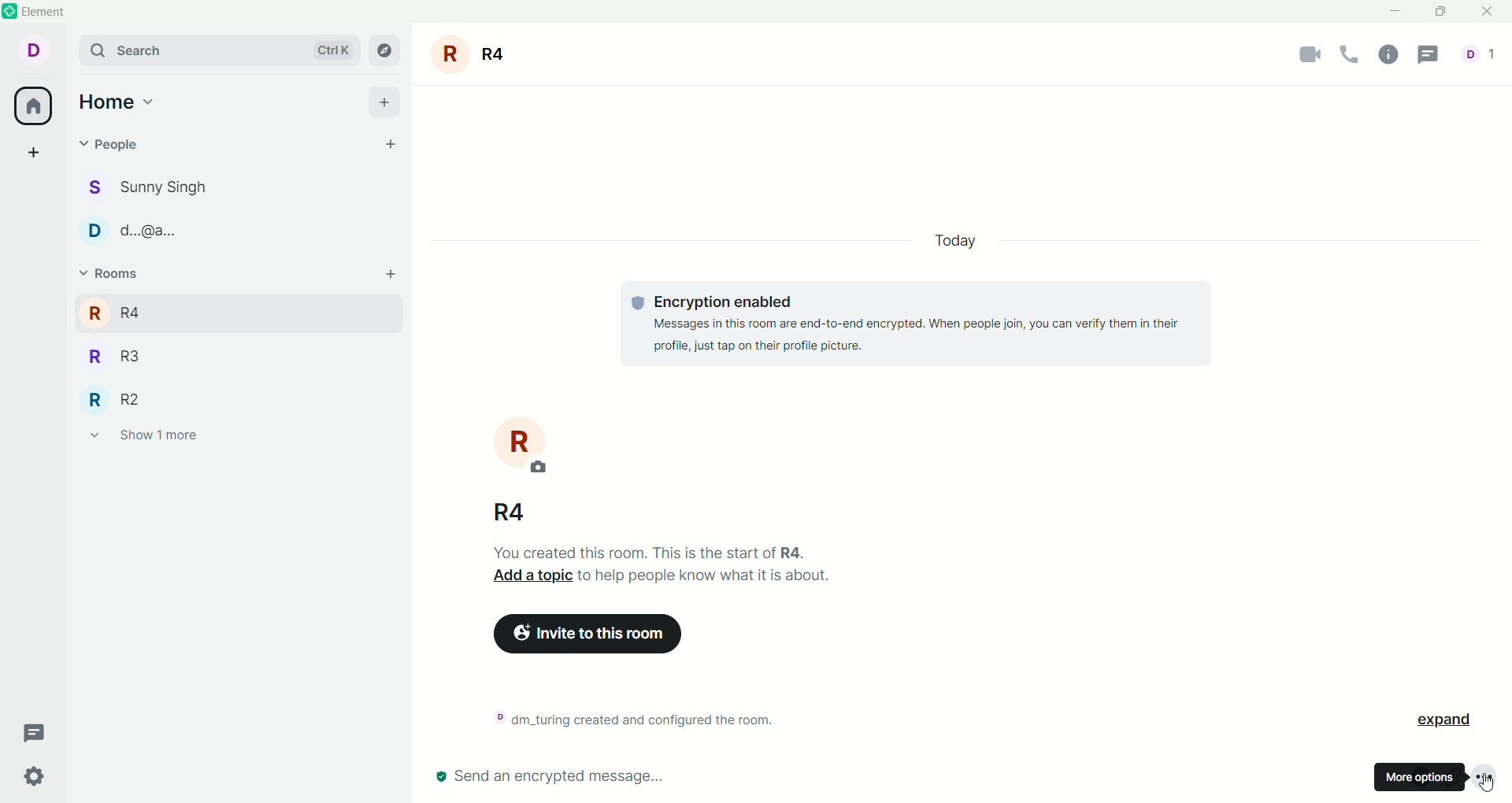 The width and height of the screenshot is (1512, 803). I want to click on close, so click(1490, 12).